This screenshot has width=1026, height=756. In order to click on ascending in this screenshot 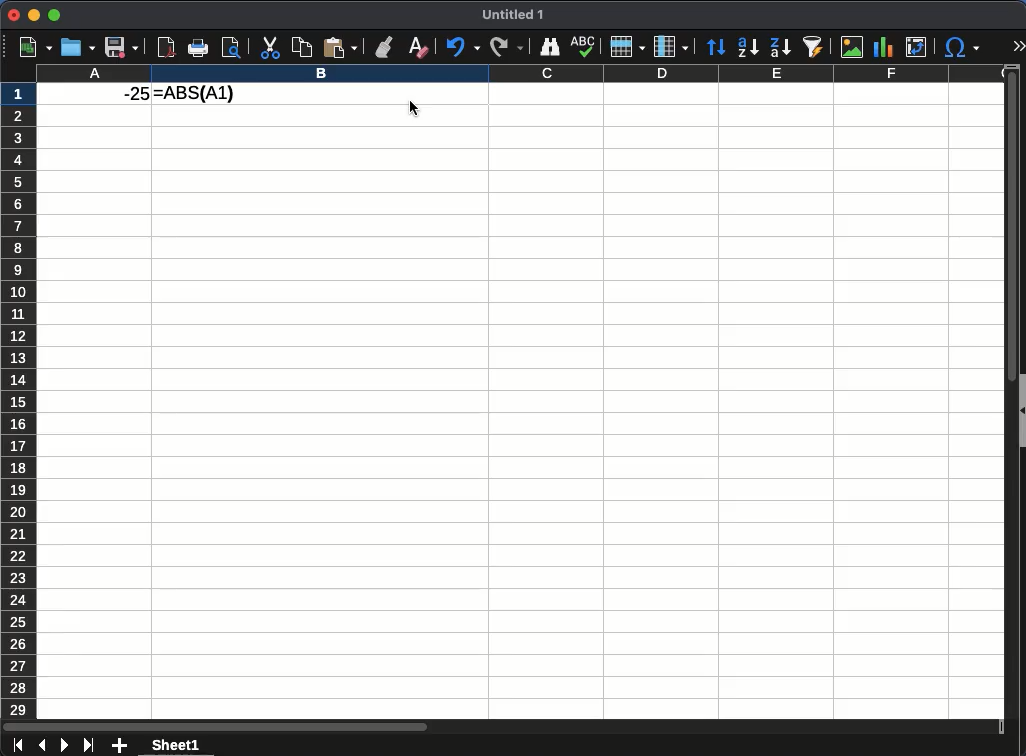, I will do `click(748, 48)`.